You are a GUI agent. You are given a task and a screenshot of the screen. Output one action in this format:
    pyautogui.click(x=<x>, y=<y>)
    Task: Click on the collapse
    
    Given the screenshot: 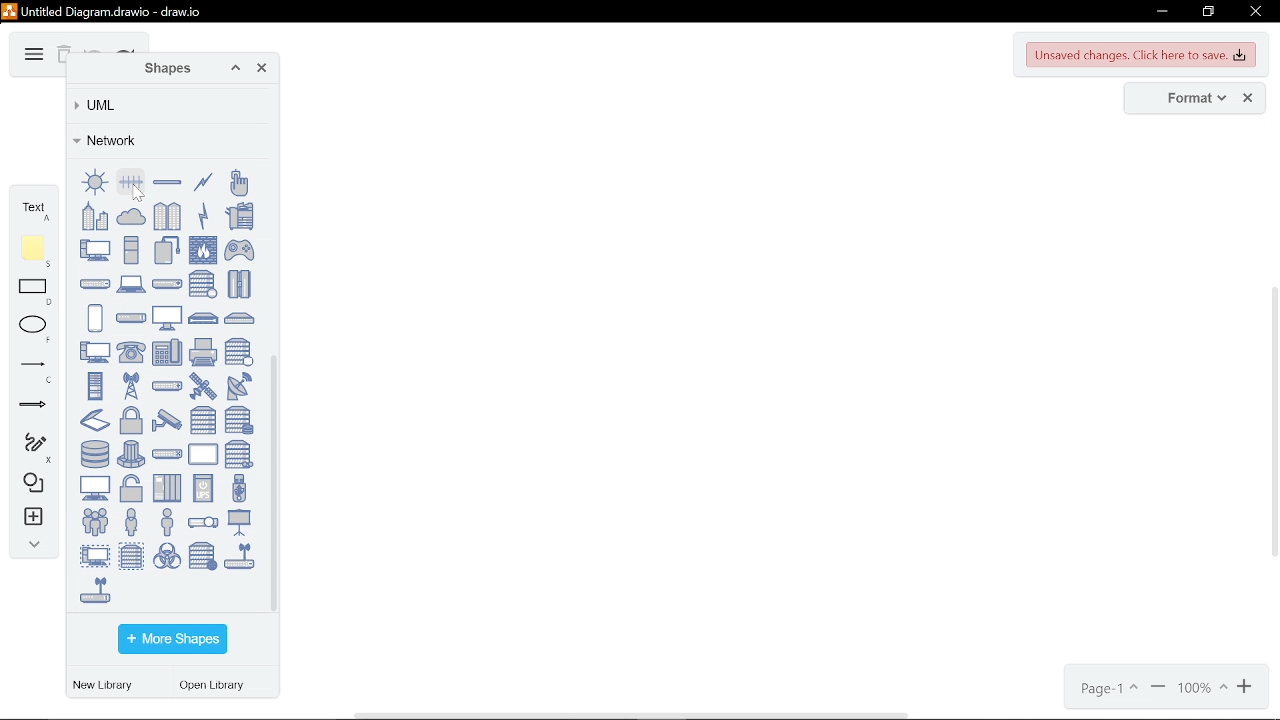 What is the action you would take?
    pyautogui.click(x=30, y=547)
    